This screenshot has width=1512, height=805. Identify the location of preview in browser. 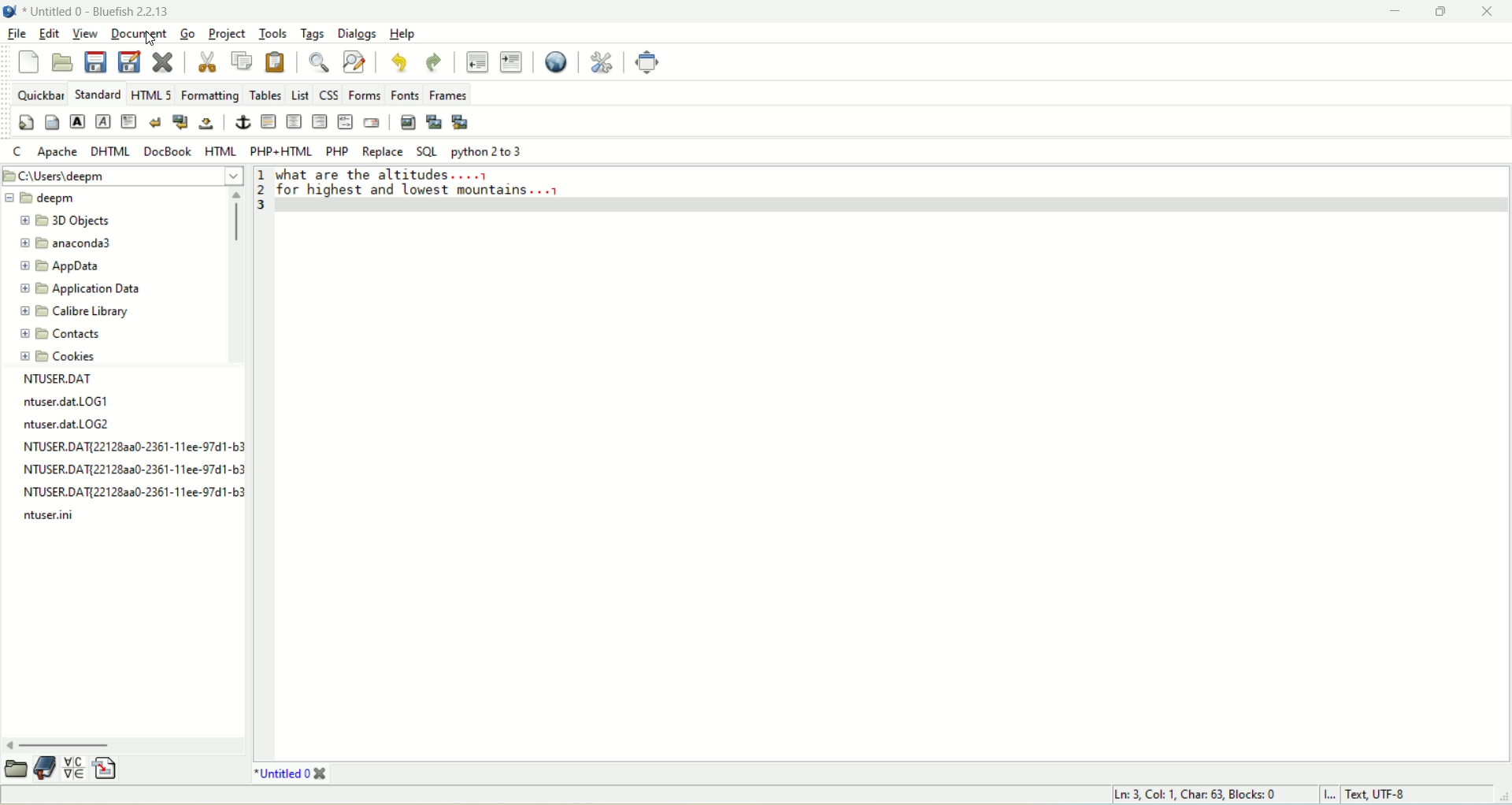
(558, 62).